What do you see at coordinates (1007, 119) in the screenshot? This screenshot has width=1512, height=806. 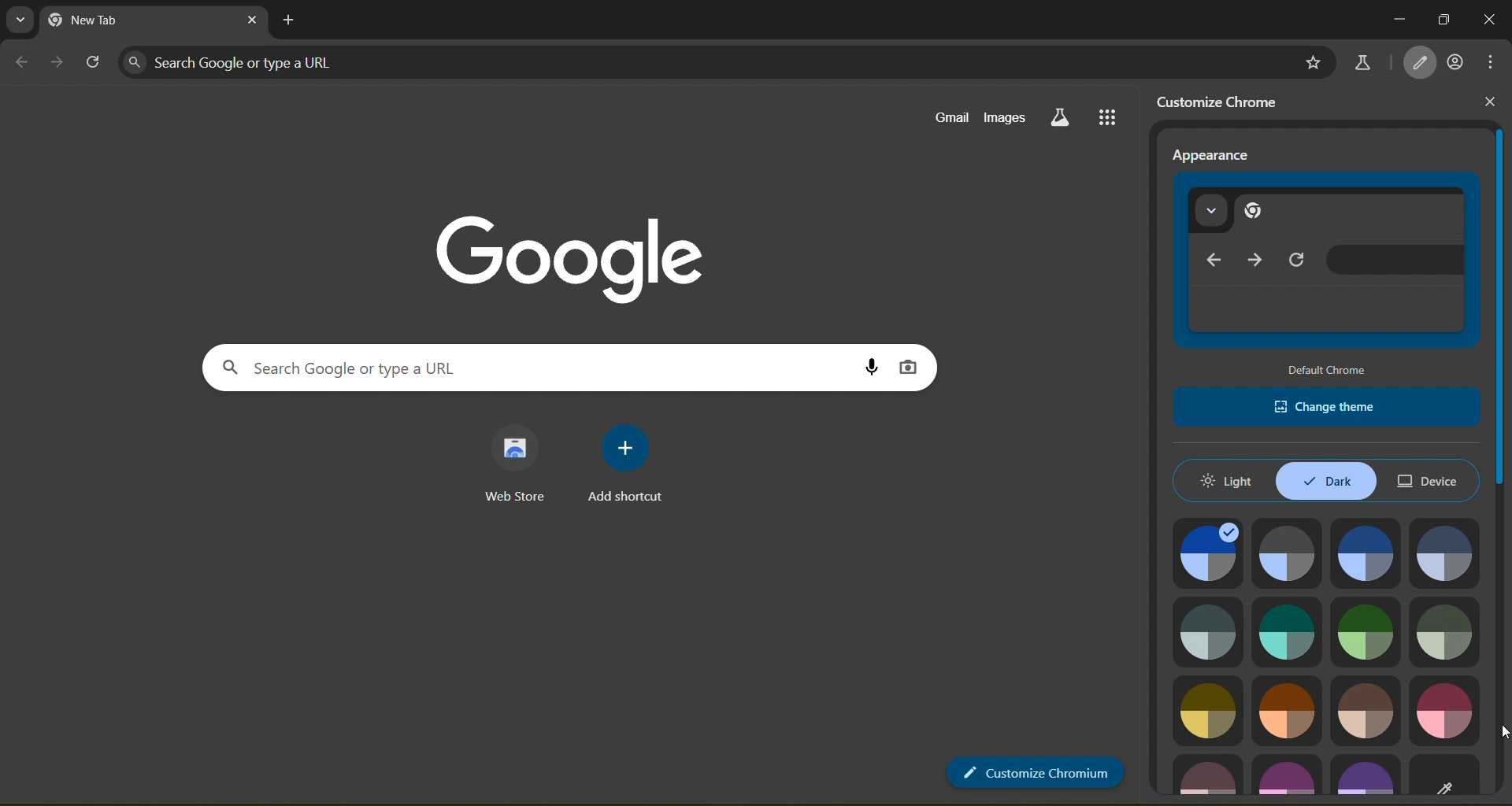 I see `images` at bounding box center [1007, 119].